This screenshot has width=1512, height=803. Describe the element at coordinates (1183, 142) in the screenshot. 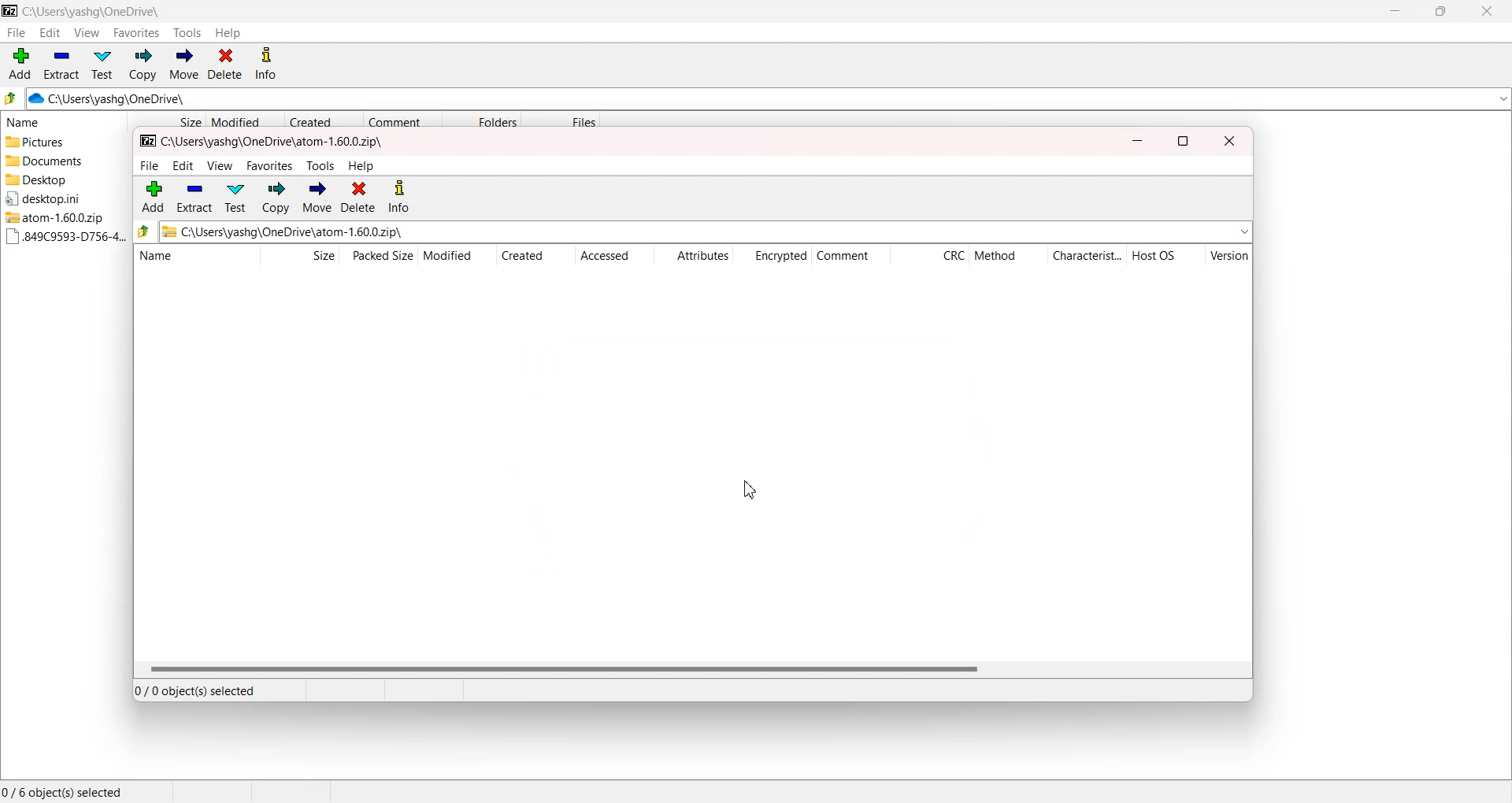

I see `maximize` at that location.